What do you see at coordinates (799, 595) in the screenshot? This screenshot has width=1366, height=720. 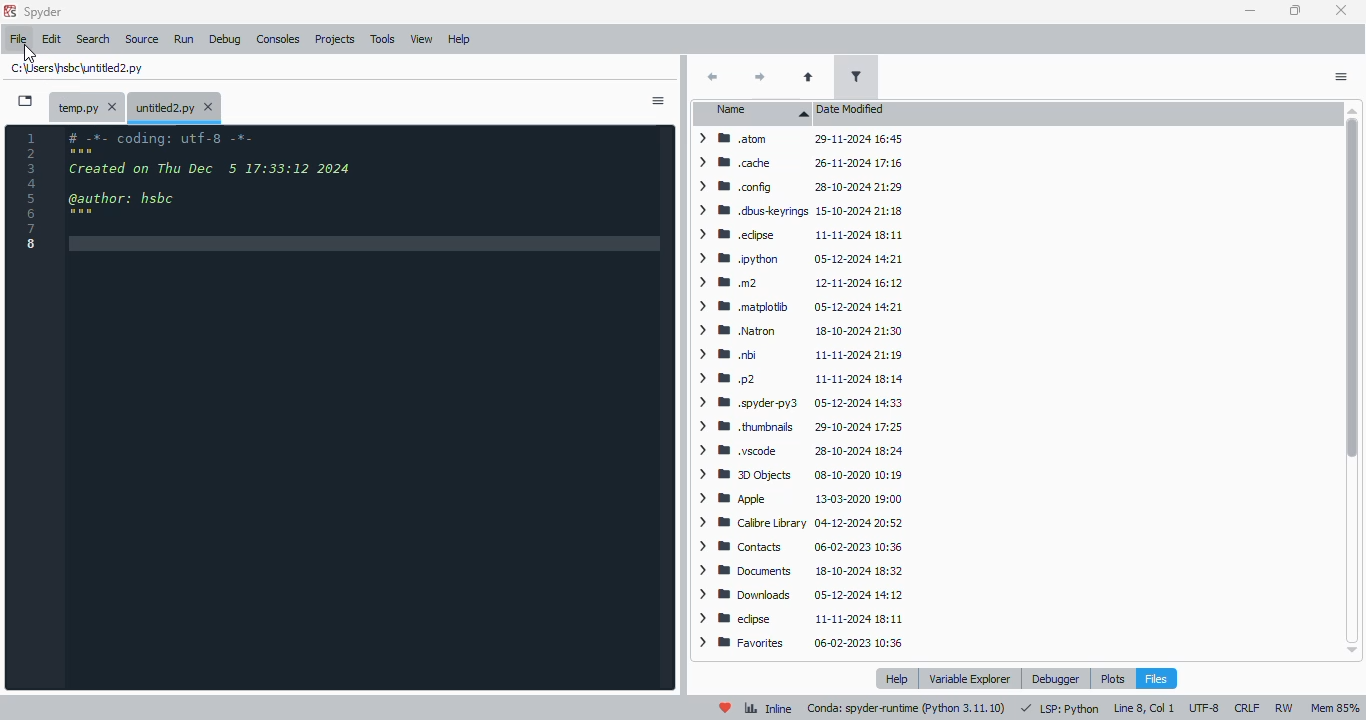 I see `> WM Downloads ~~ 05-12-2024 14:12` at bounding box center [799, 595].